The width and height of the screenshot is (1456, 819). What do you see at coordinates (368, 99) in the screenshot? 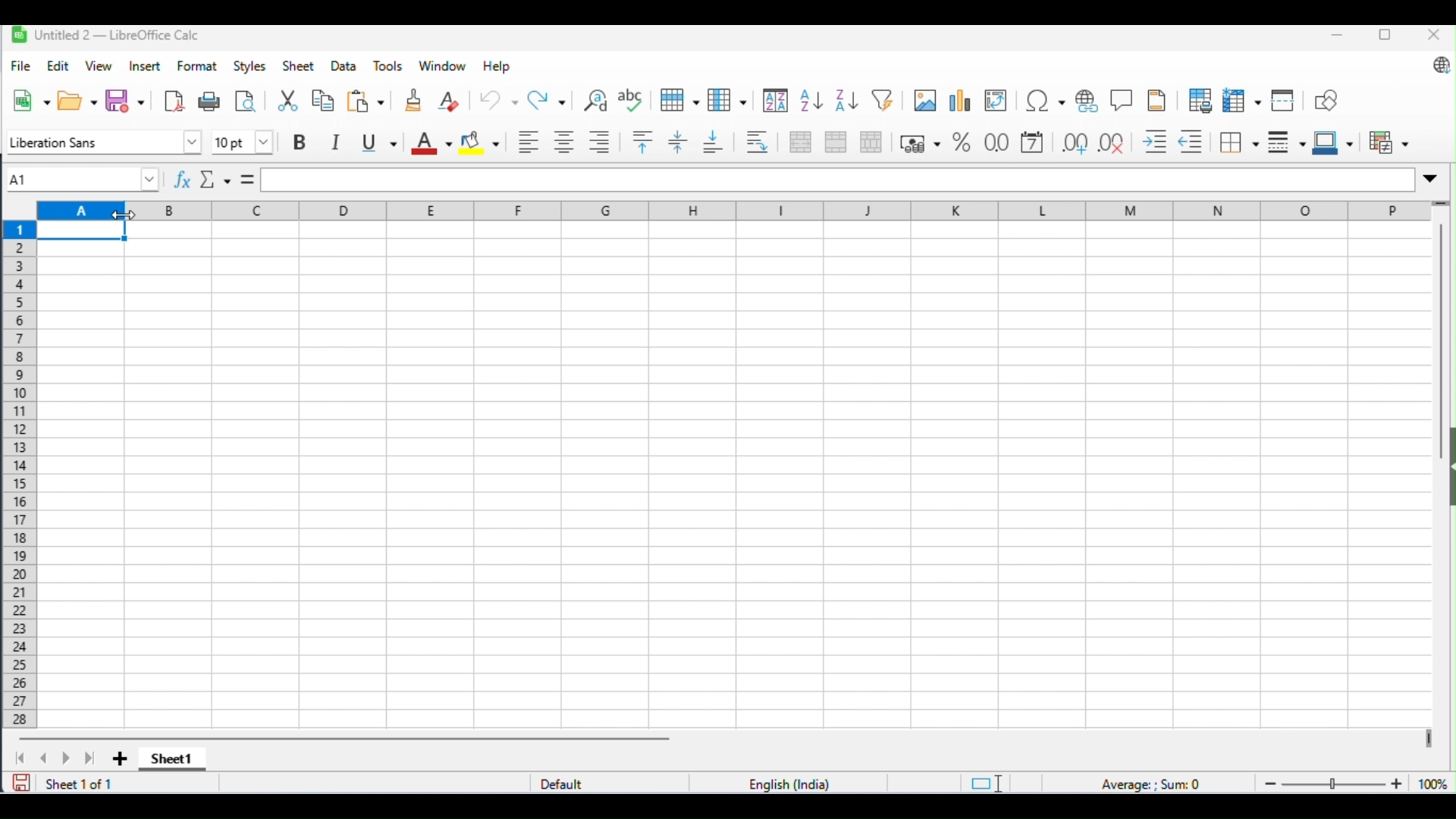
I see `paste` at bounding box center [368, 99].